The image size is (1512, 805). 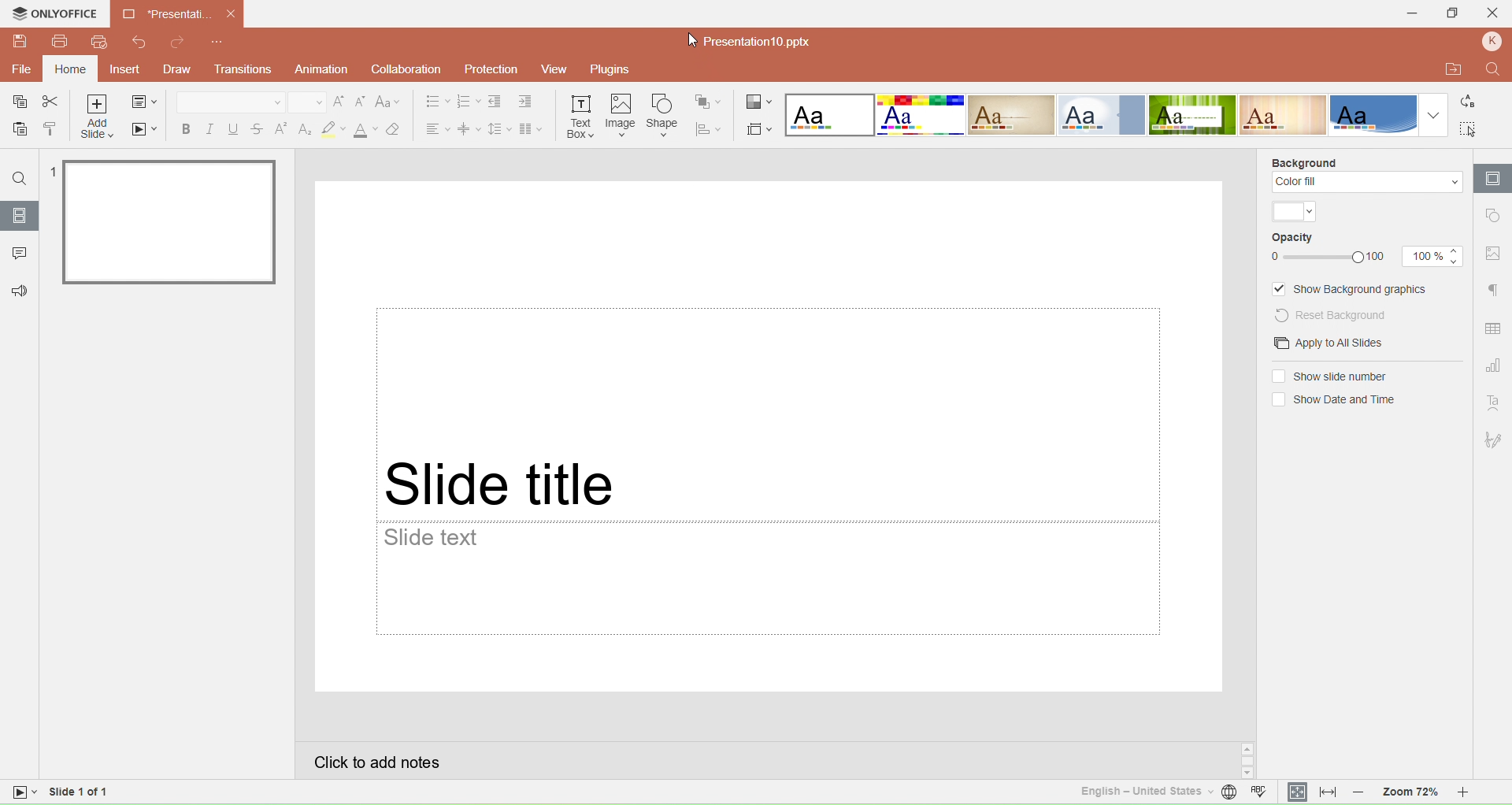 I want to click on Image setting, so click(x=1493, y=254).